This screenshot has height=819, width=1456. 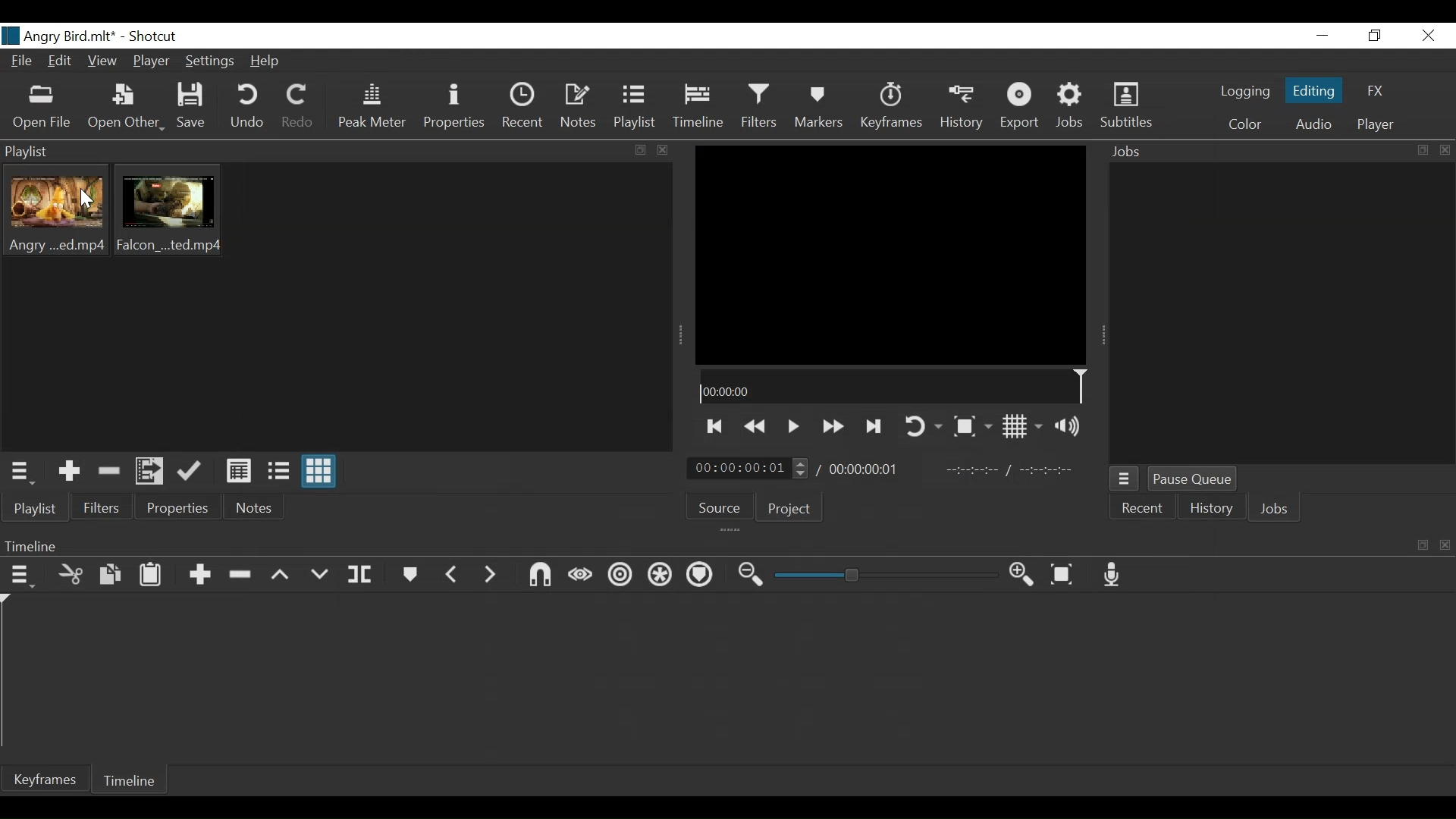 What do you see at coordinates (176, 507) in the screenshot?
I see `Properties` at bounding box center [176, 507].